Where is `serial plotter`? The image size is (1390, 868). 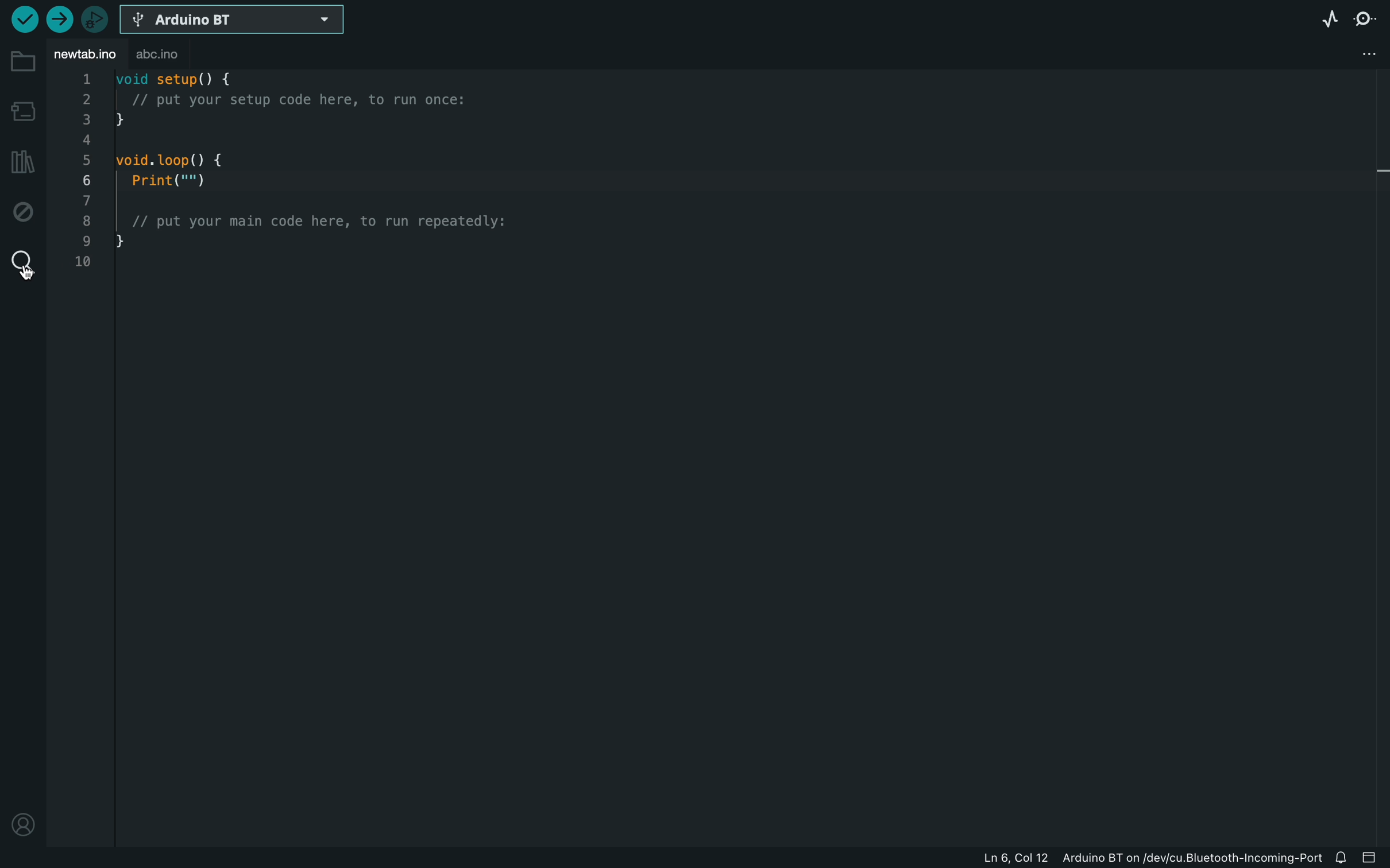
serial plotter is located at coordinates (1327, 21).